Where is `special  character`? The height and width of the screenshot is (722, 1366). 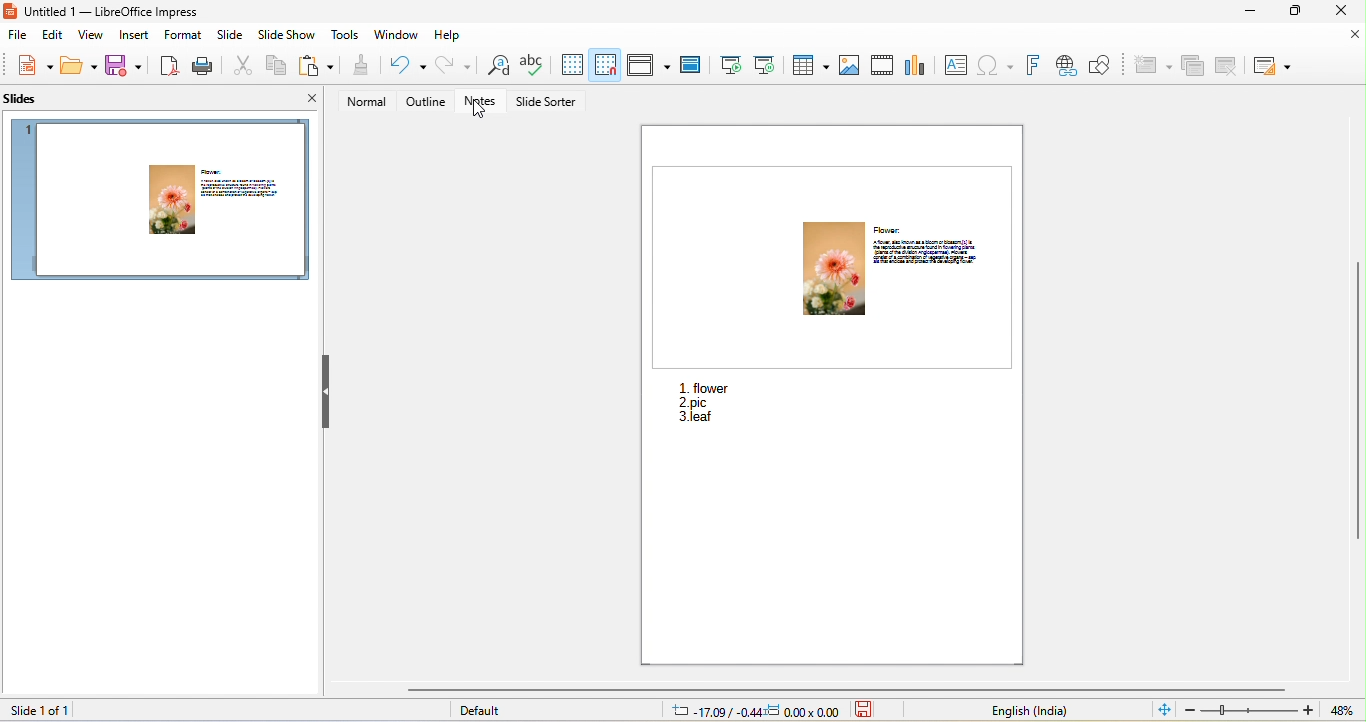
special  character is located at coordinates (995, 65).